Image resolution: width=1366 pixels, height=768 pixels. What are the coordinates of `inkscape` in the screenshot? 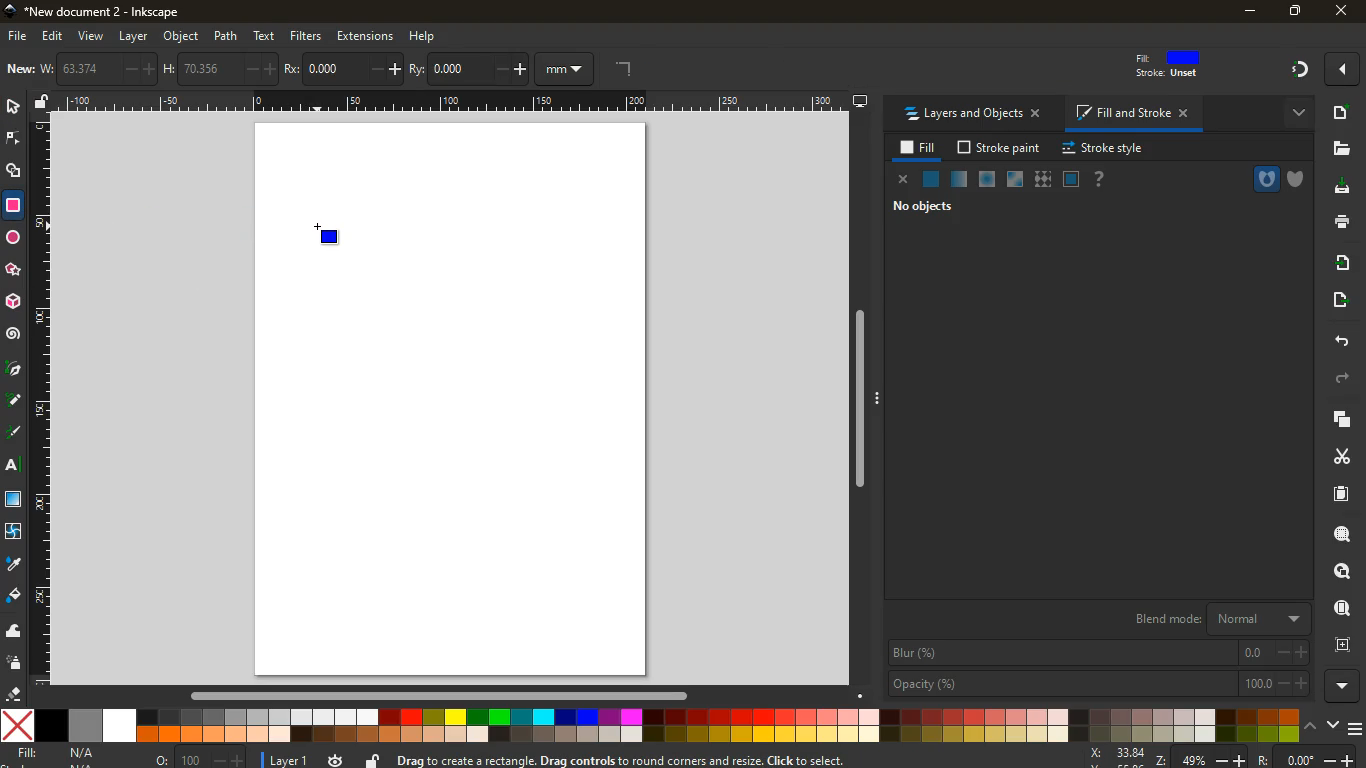 It's located at (96, 10).